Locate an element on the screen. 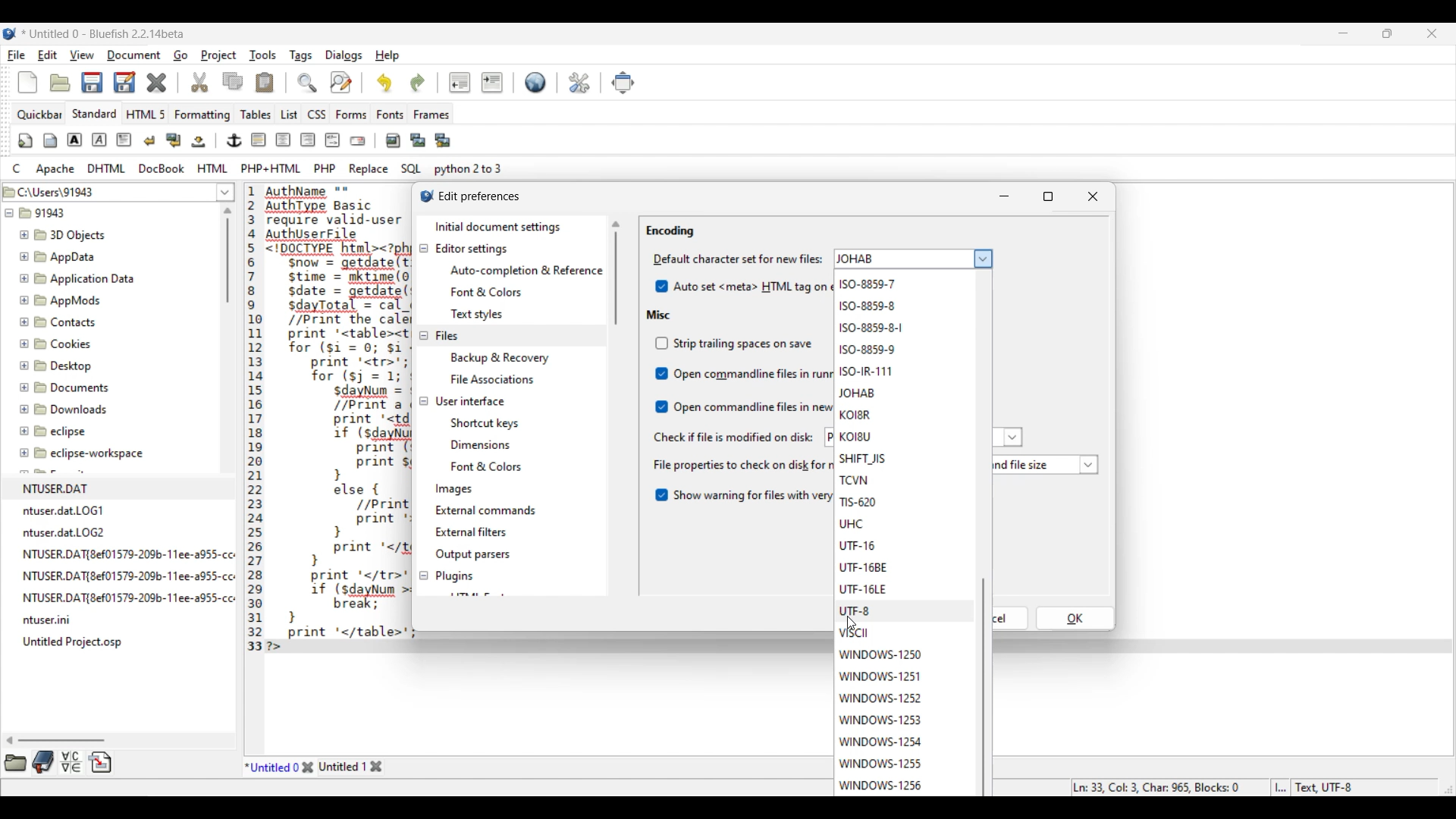  Vertical slide bar is located at coordinates (616, 273).